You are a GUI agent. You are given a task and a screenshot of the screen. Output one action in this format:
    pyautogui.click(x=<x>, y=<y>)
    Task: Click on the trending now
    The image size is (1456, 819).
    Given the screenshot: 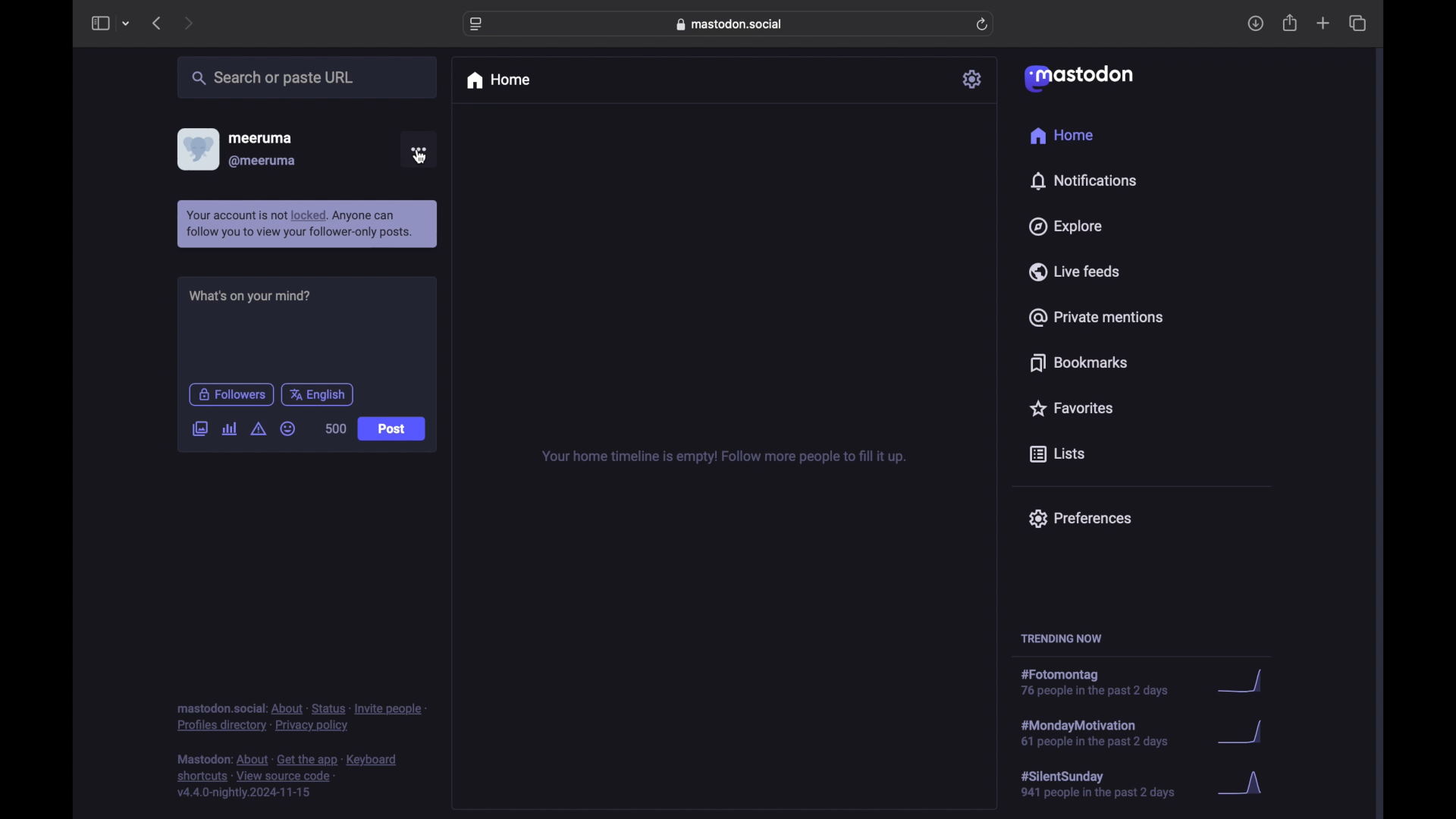 What is the action you would take?
    pyautogui.click(x=1062, y=638)
    